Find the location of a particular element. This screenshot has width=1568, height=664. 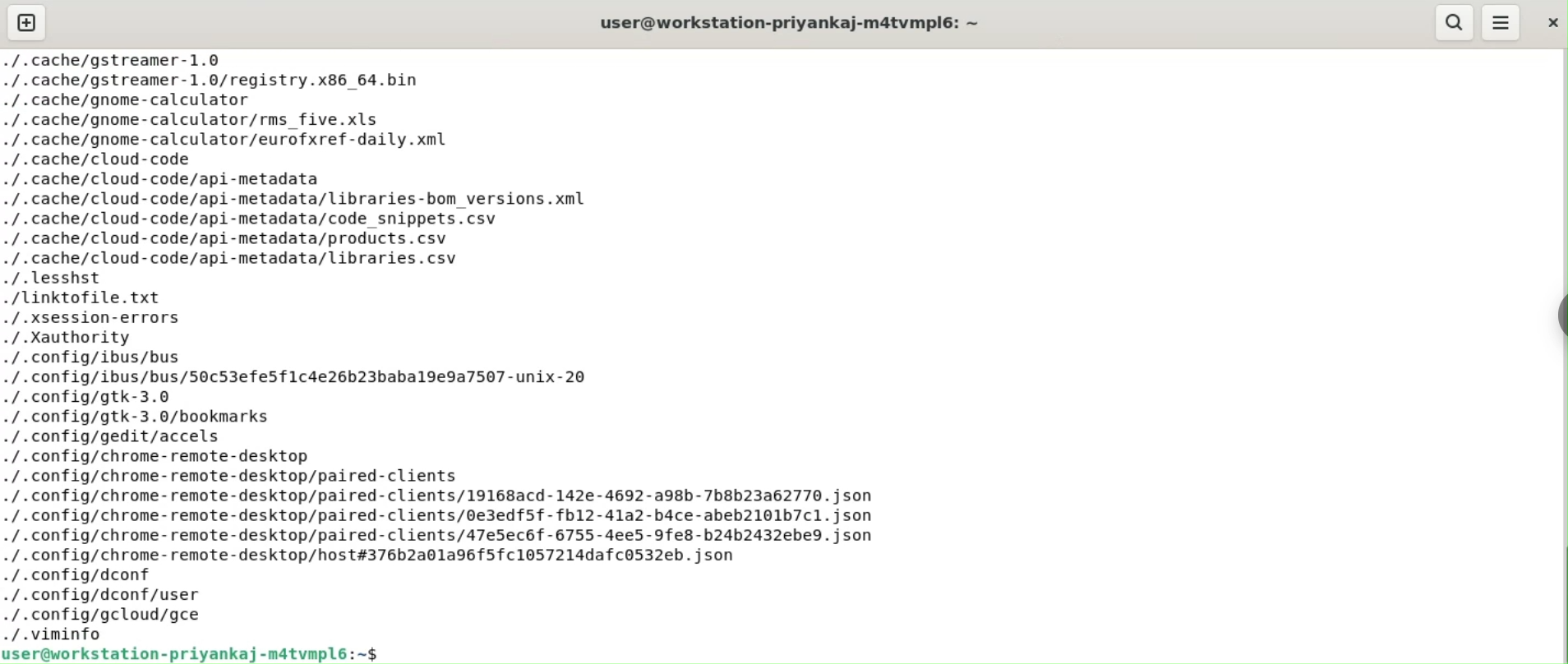

./.cache/gstreamer-1.0
./.cache/gstreamer-1.0/registry.x86_64.bin
./.cache/gnome-calculator
./.cache/gnome-calculator/rms_five.xls

./ .cache/gnome-calculator/eurofxref-daily.xml

./ .cache/cloud- code

./ .cache/cloud-code/api-metadata
./.cache/cloud-code/api-metadata/libraries-bom_versions.xml
./ .cache/cloud-code/api-metadata/code_snippets.csv
./.cache/cloud-code/api-metadata/products.csv
./.cache/cloud-code/api-metadata/libraries.csv
./.lesshst

./linktofile. txt

./.xsession-errors

./ .Xauthority

./.config/ibus/bus
./.config/ibus/bus/50c53efe5f1c4e26b23babal9e9a7507-unix-20
./.config/gtk-3.0

./.config/gtk-3.6/bookmarks

./.config/gedit/accels
./.config/chrome-remote-desktop
./.config/chrome-remote-desktop/paired-clients is located at coordinates (466, 263).